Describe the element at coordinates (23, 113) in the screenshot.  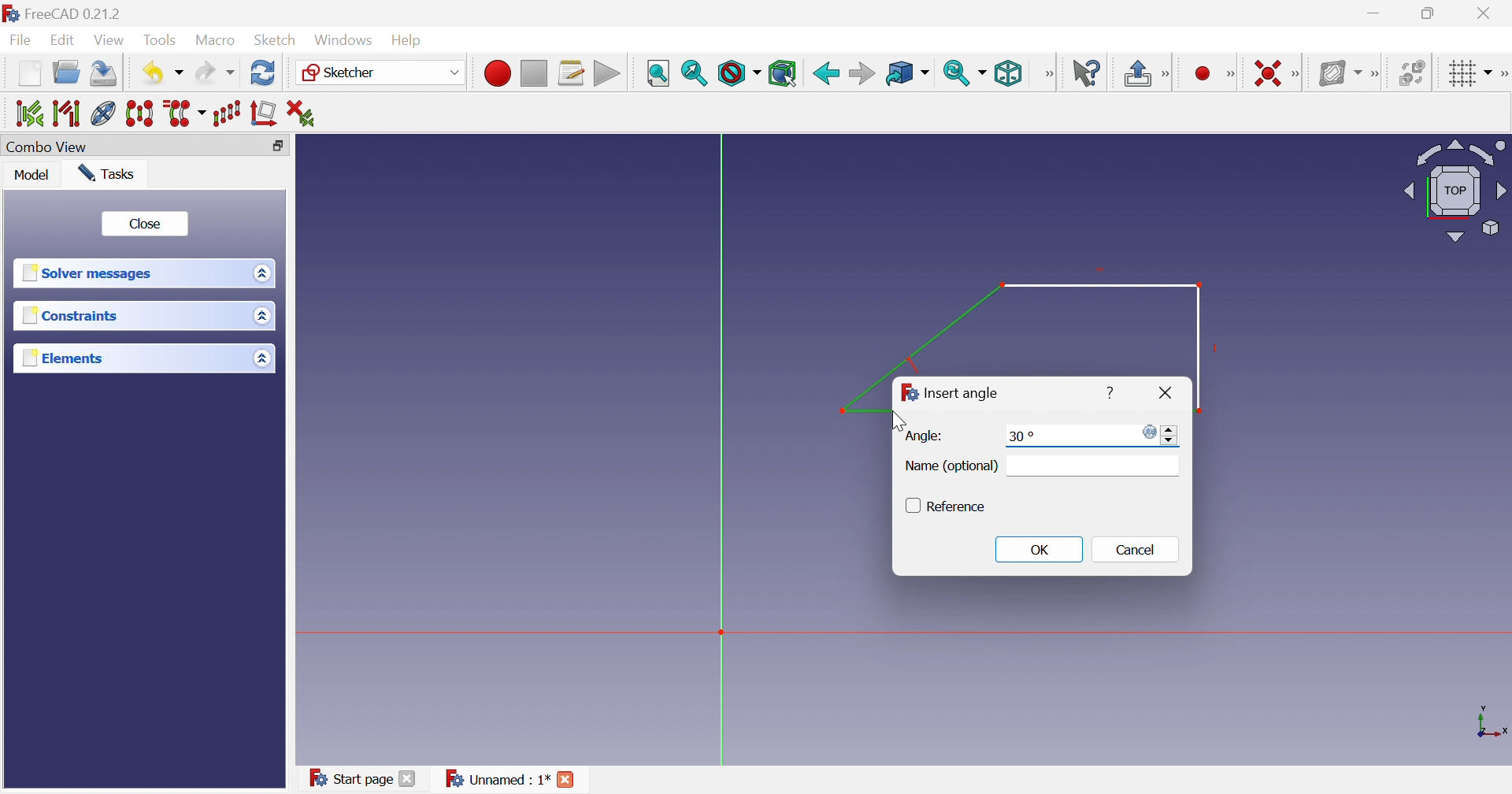
I see `Select associated constraints` at that location.